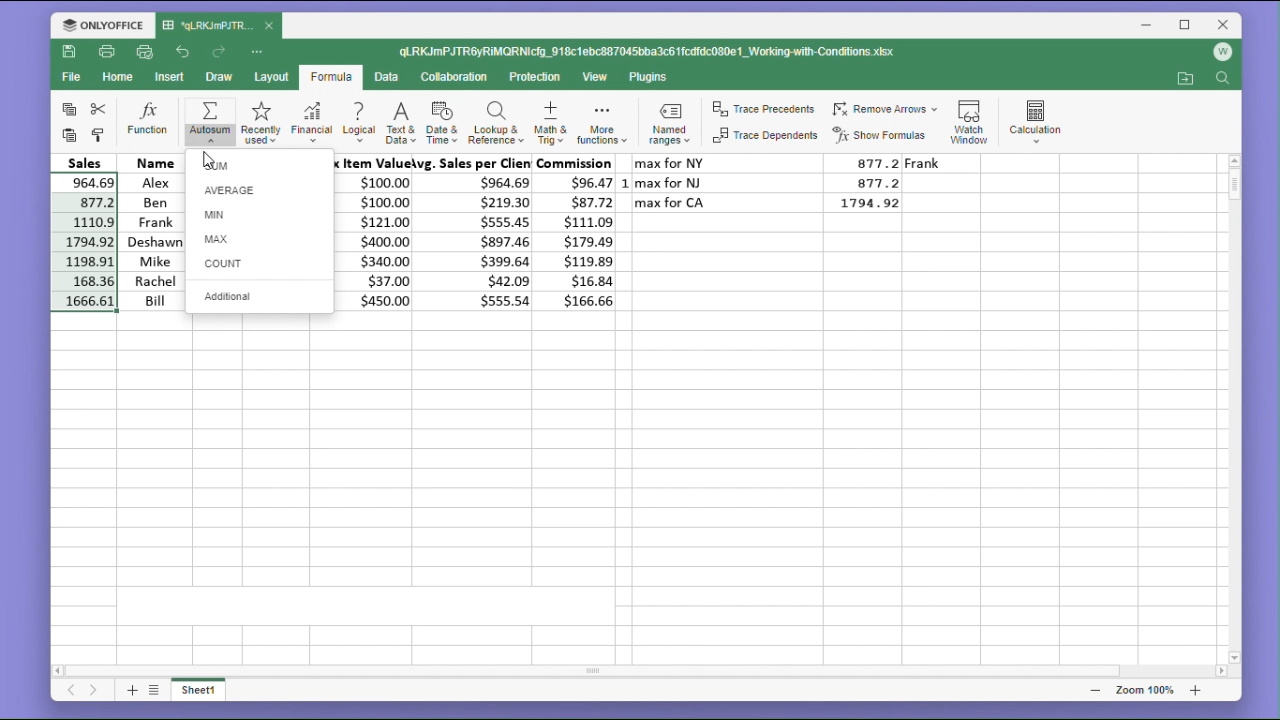 The width and height of the screenshot is (1280, 720). Describe the element at coordinates (1234, 409) in the screenshot. I see `vertical scroll bar` at that location.